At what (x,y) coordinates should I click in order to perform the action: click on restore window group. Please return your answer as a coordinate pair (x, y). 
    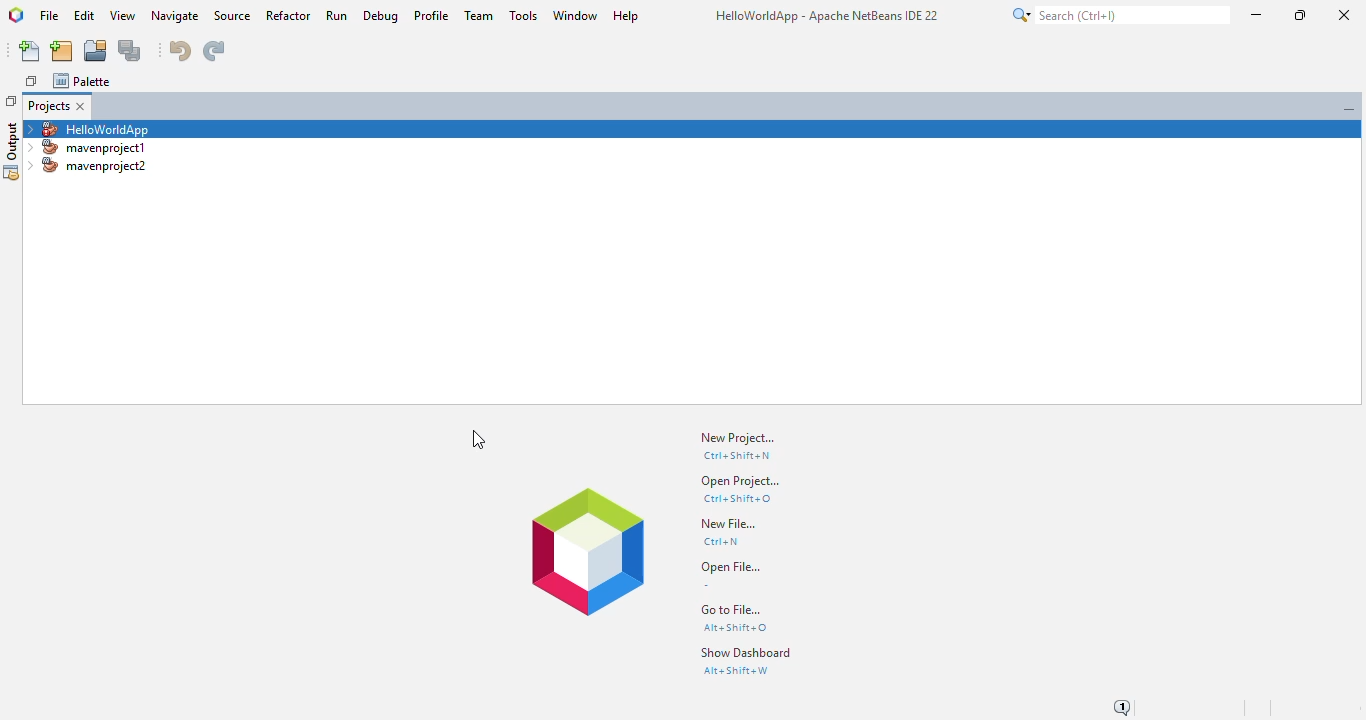
    Looking at the image, I should click on (12, 100).